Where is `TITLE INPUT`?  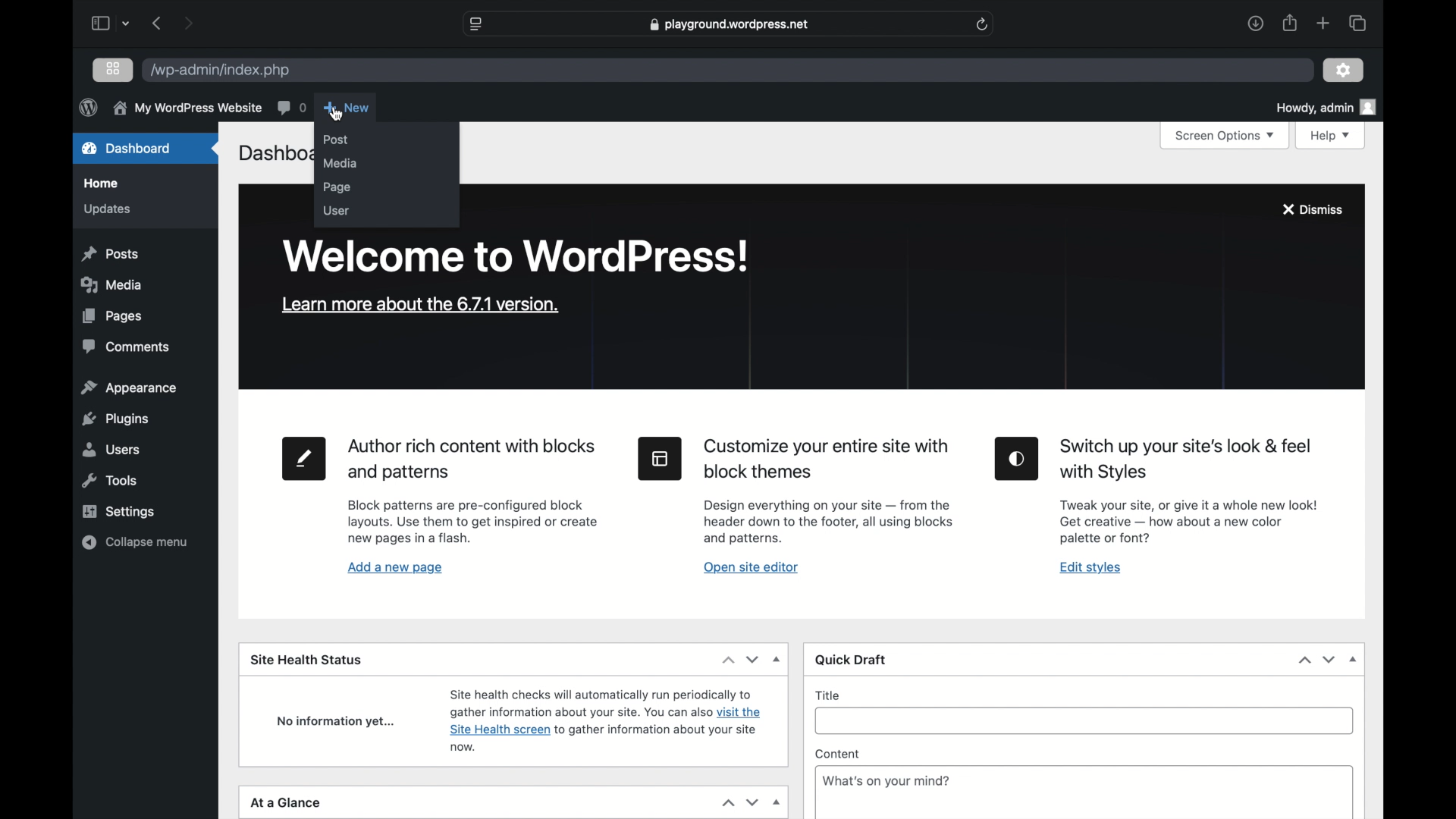 TITLE INPUT is located at coordinates (1091, 723).